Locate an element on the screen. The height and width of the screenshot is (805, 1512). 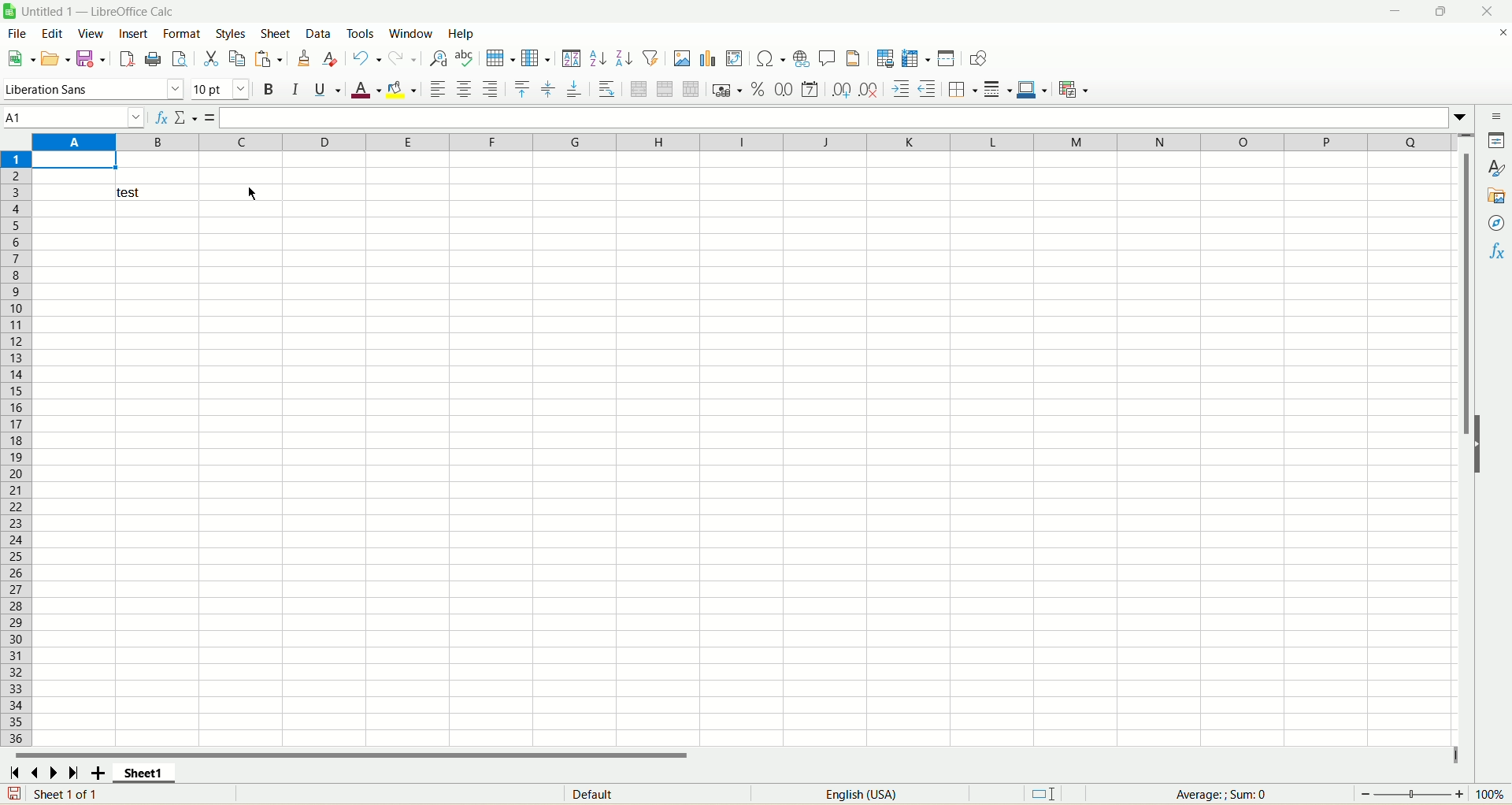
select function is located at coordinates (186, 118).